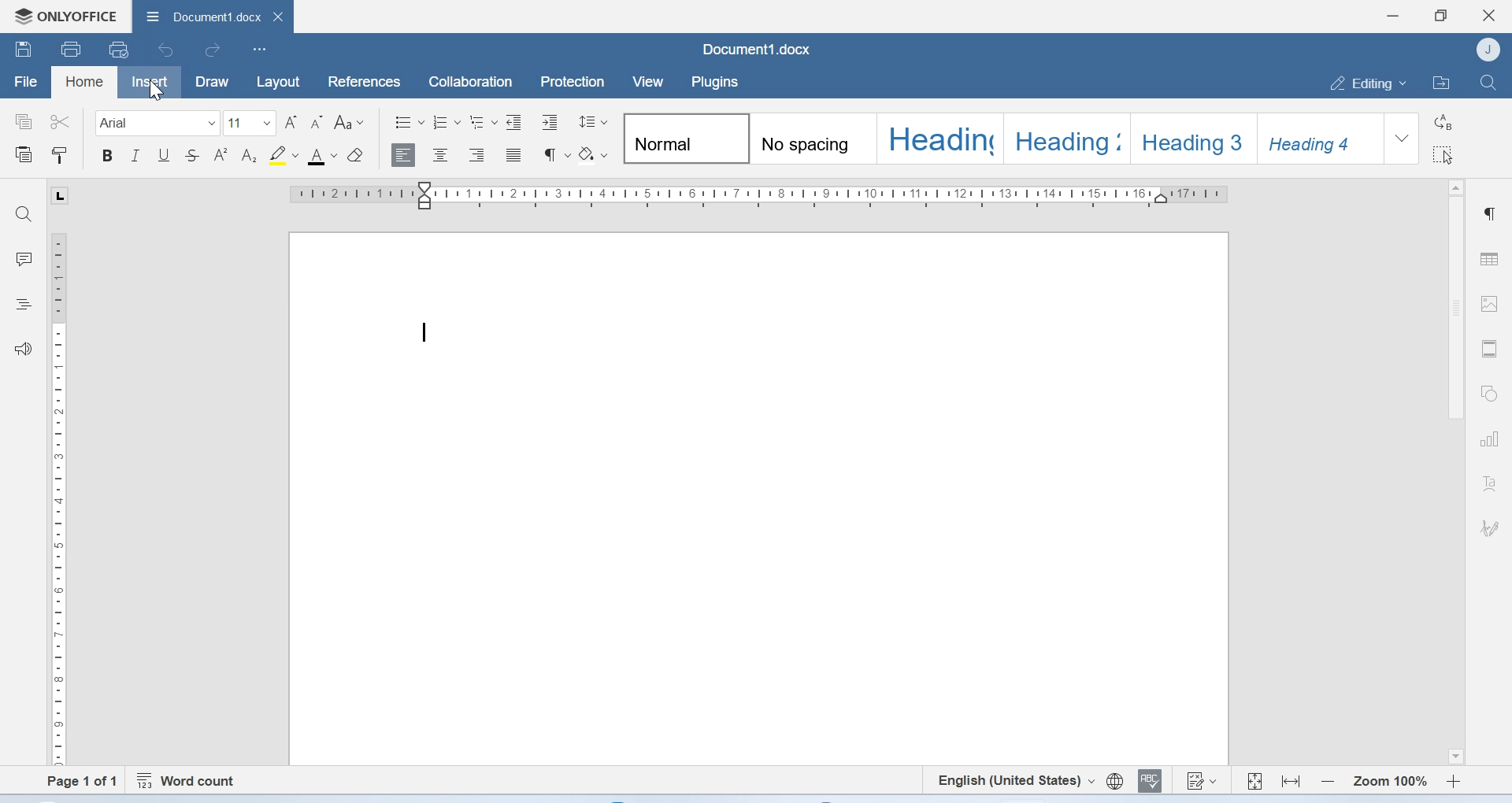  Describe the element at coordinates (220, 158) in the screenshot. I see `Superscript` at that location.